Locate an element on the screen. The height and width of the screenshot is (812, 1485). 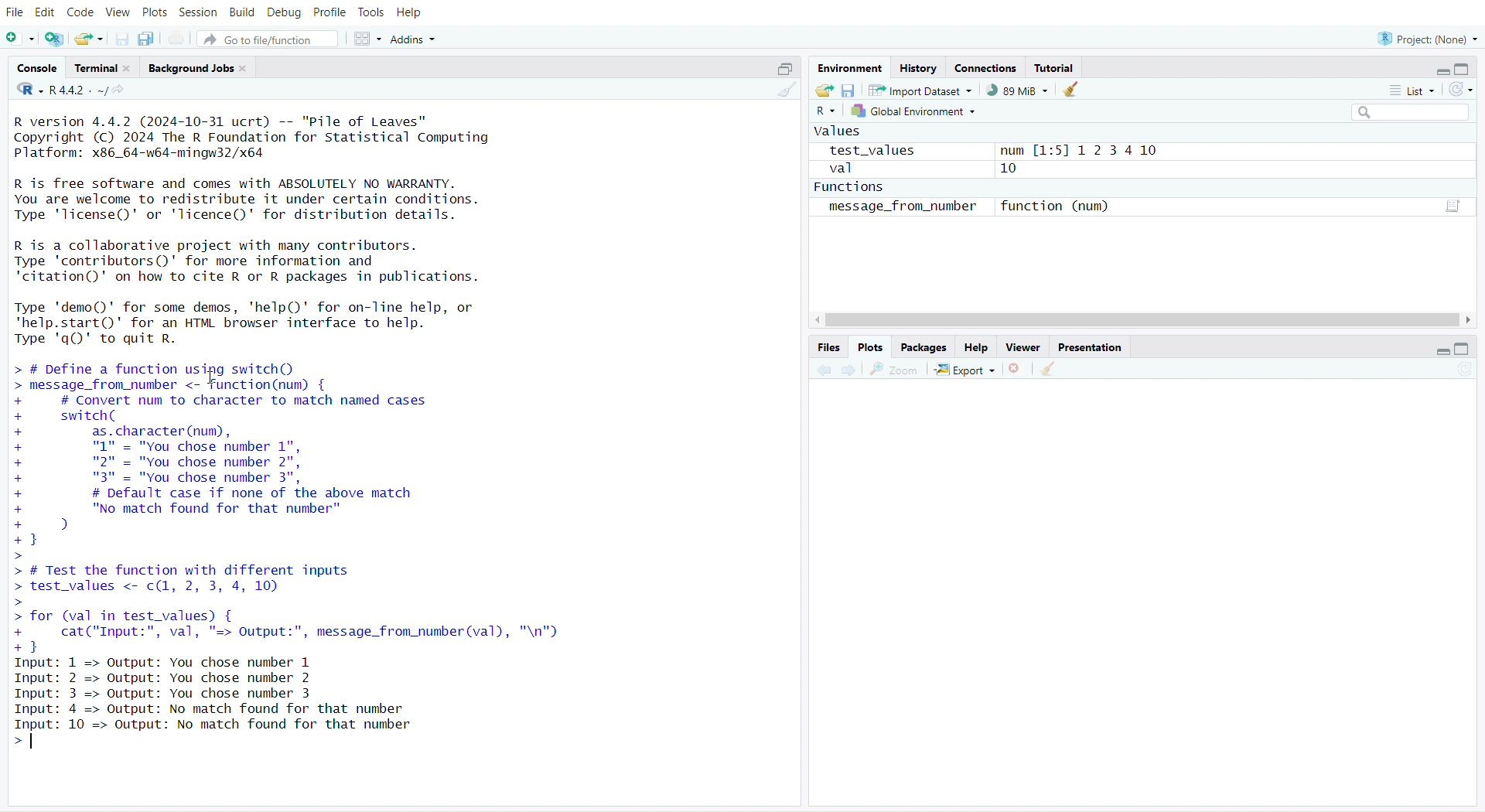
Tutorial is located at coordinates (1061, 68).